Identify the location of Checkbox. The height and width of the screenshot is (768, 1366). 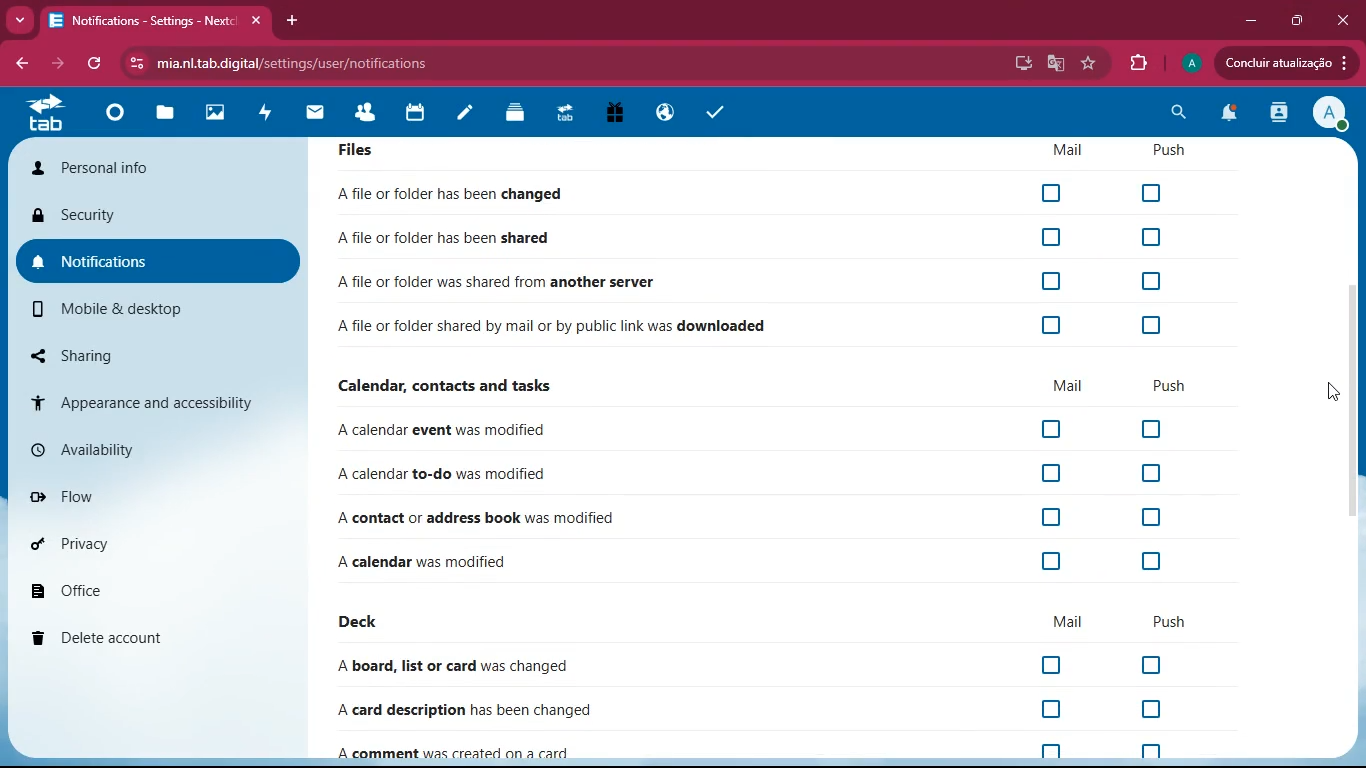
(1055, 282).